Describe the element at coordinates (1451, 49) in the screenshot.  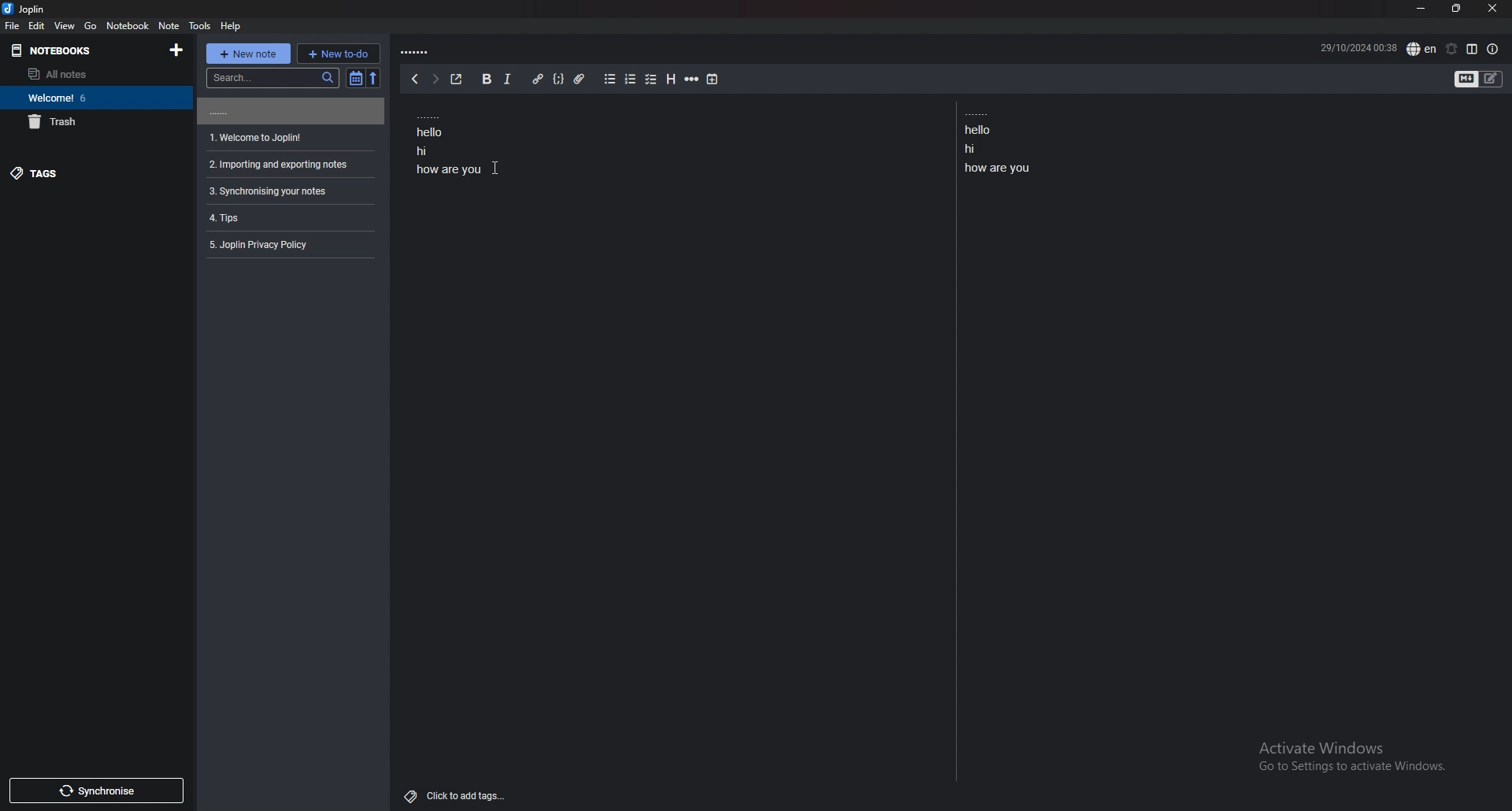
I see `set alarm` at that location.